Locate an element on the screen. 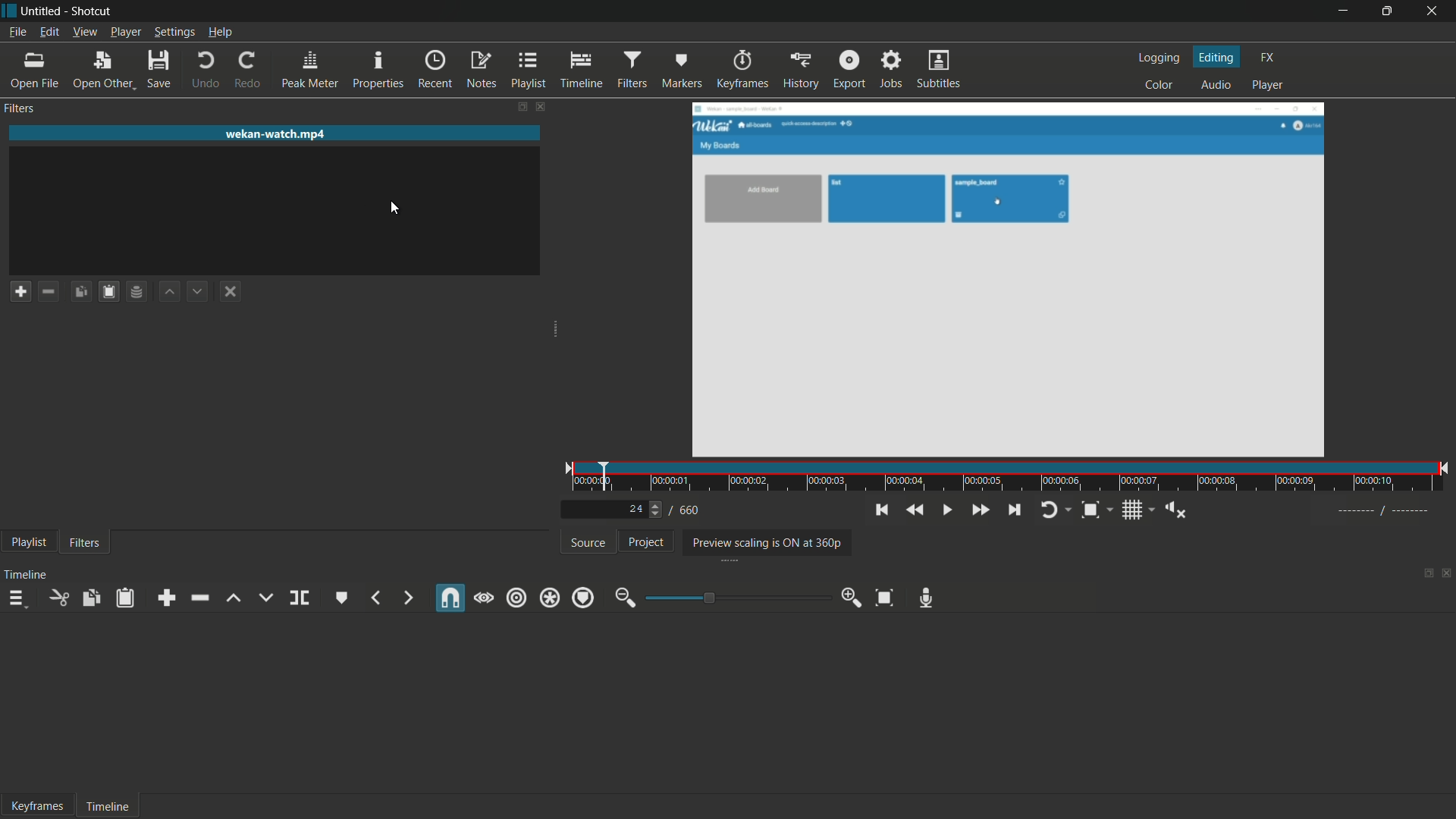  keyframes is located at coordinates (39, 807).